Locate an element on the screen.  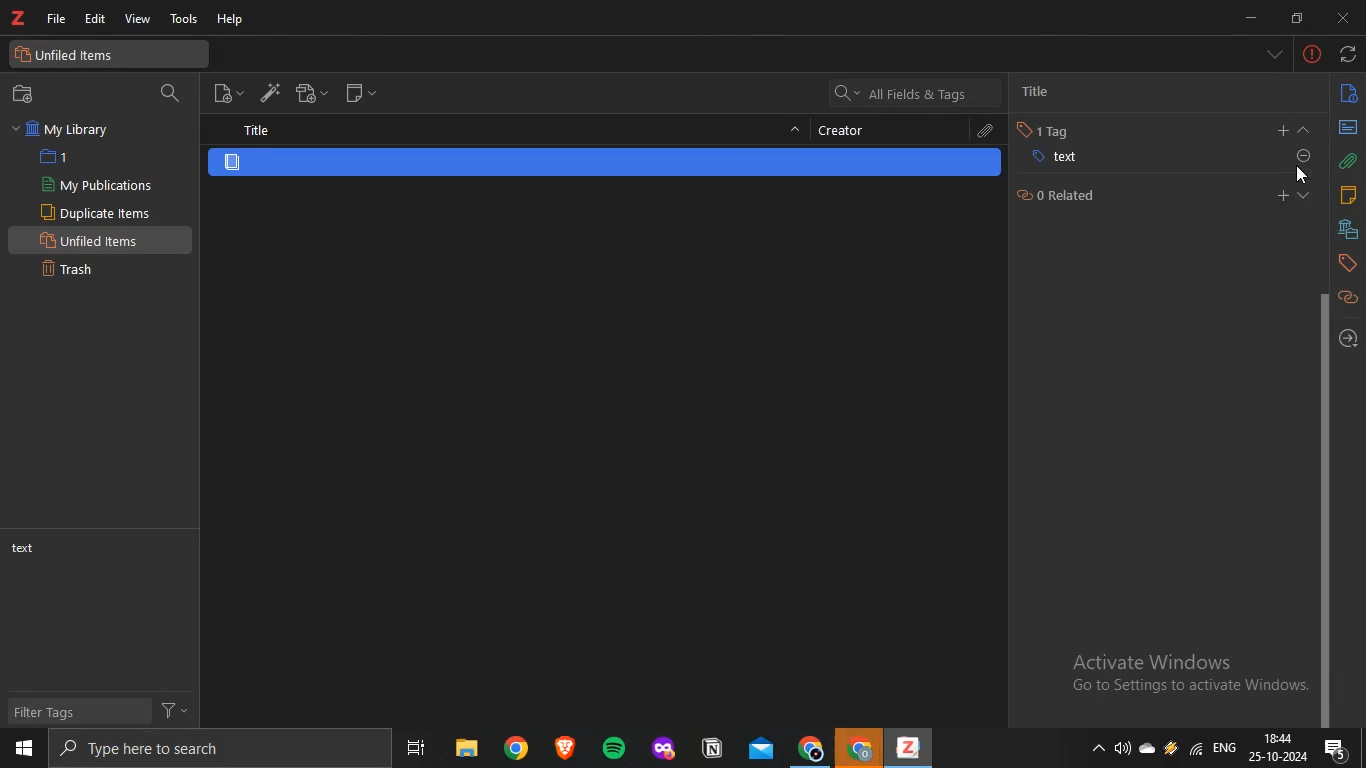
libraries and collection is located at coordinates (1348, 230).